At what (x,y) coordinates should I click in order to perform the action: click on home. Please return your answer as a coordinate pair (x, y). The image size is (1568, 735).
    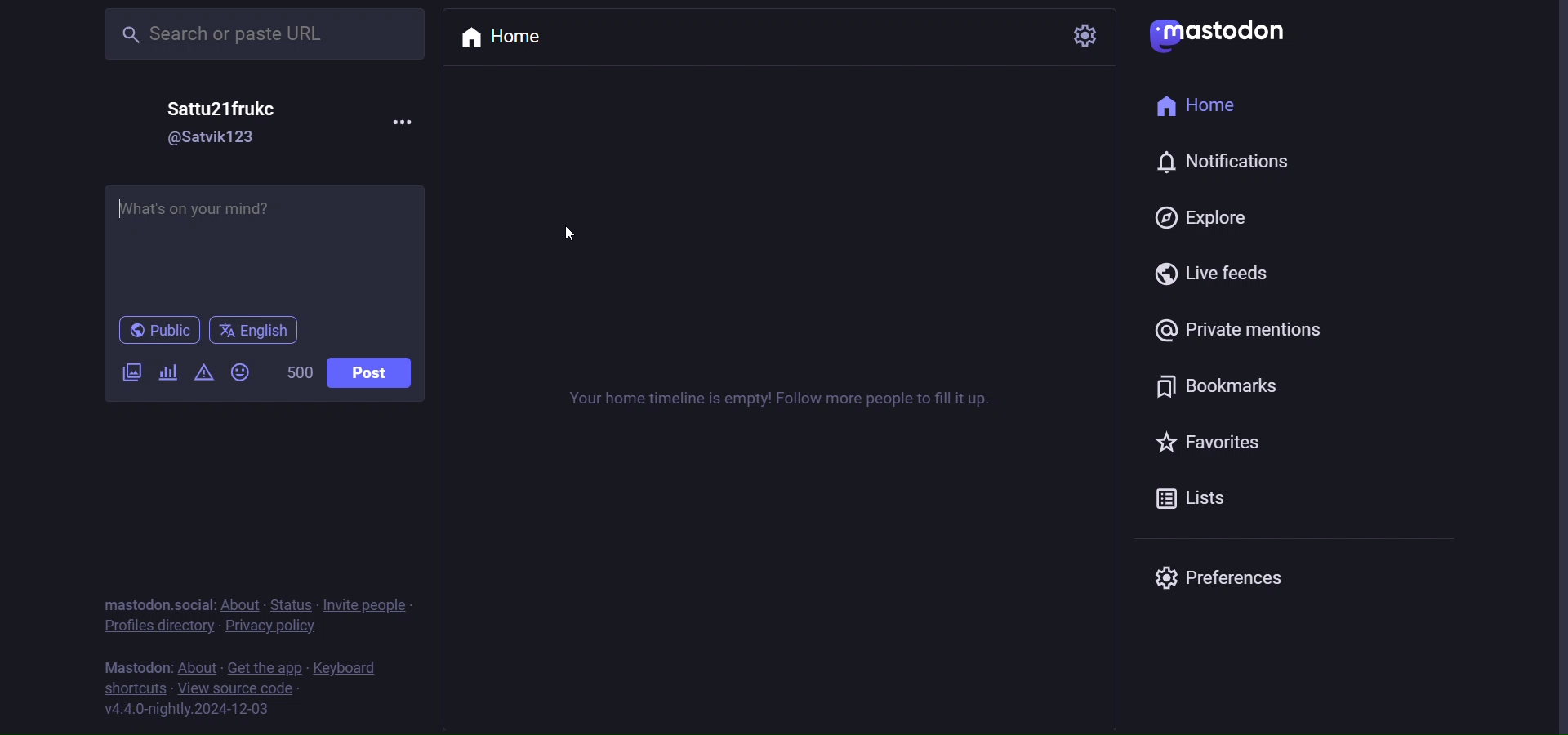
    Looking at the image, I should click on (503, 36).